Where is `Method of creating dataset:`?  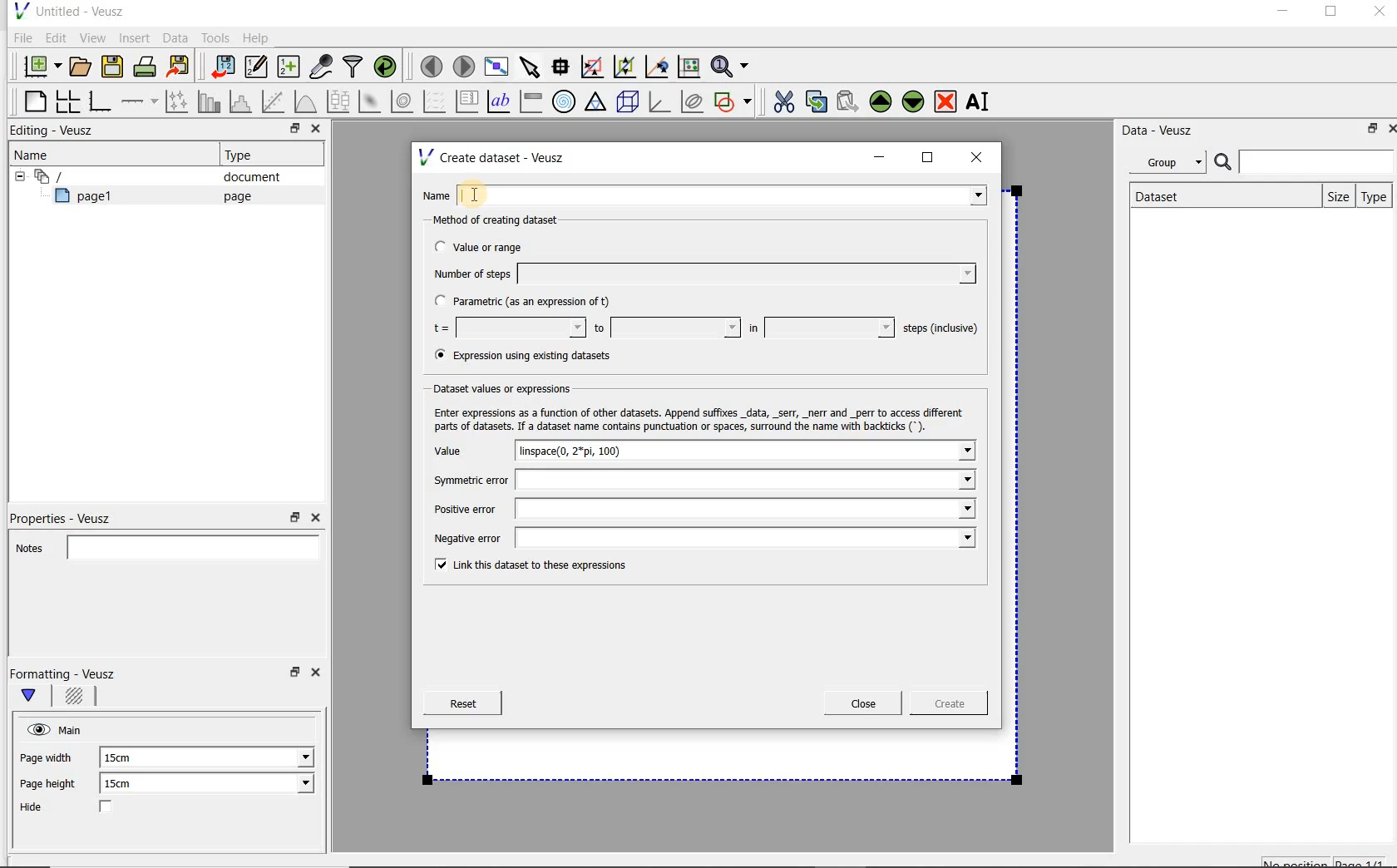
Method of creating dataset: is located at coordinates (508, 220).